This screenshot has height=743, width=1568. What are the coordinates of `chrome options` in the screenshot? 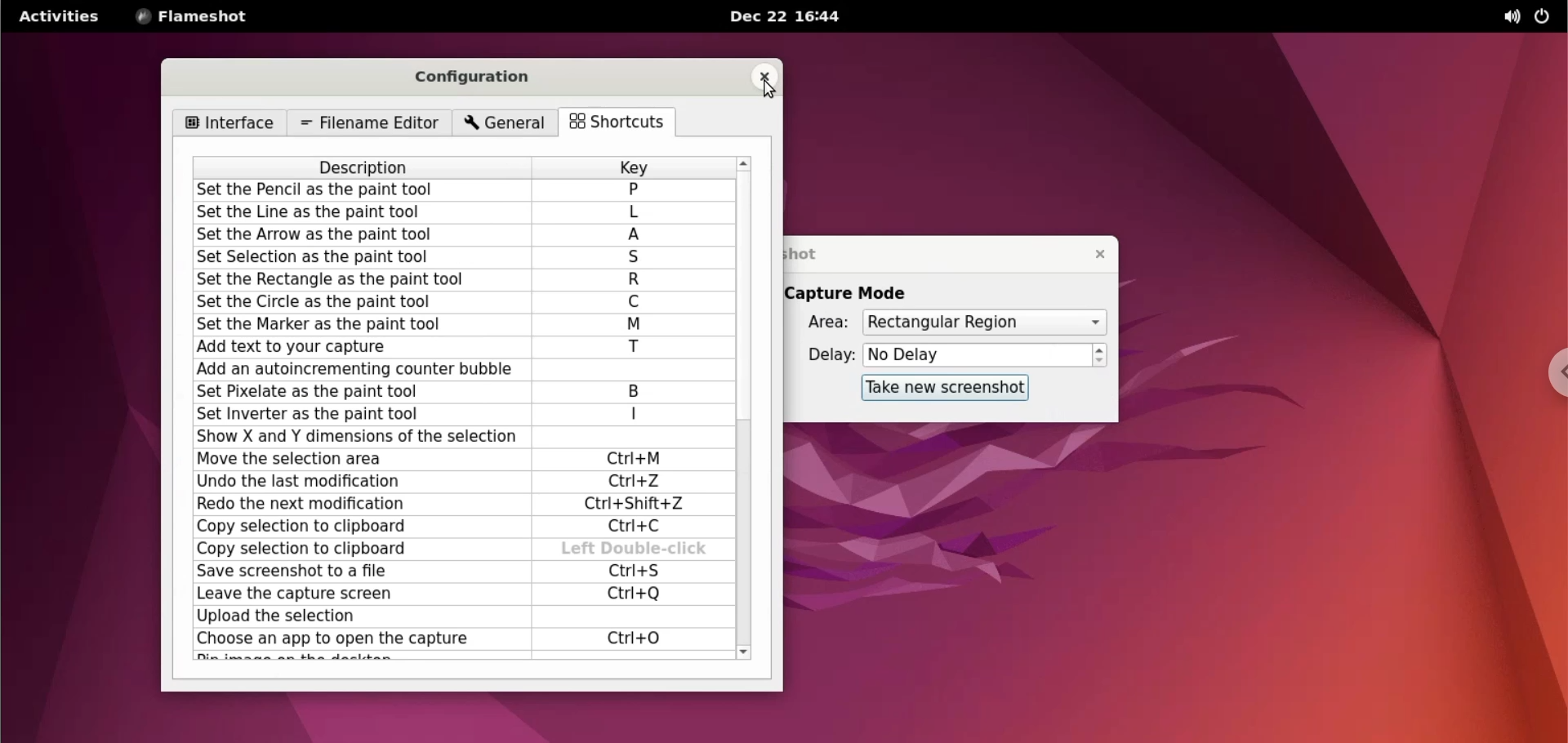 It's located at (1548, 372).